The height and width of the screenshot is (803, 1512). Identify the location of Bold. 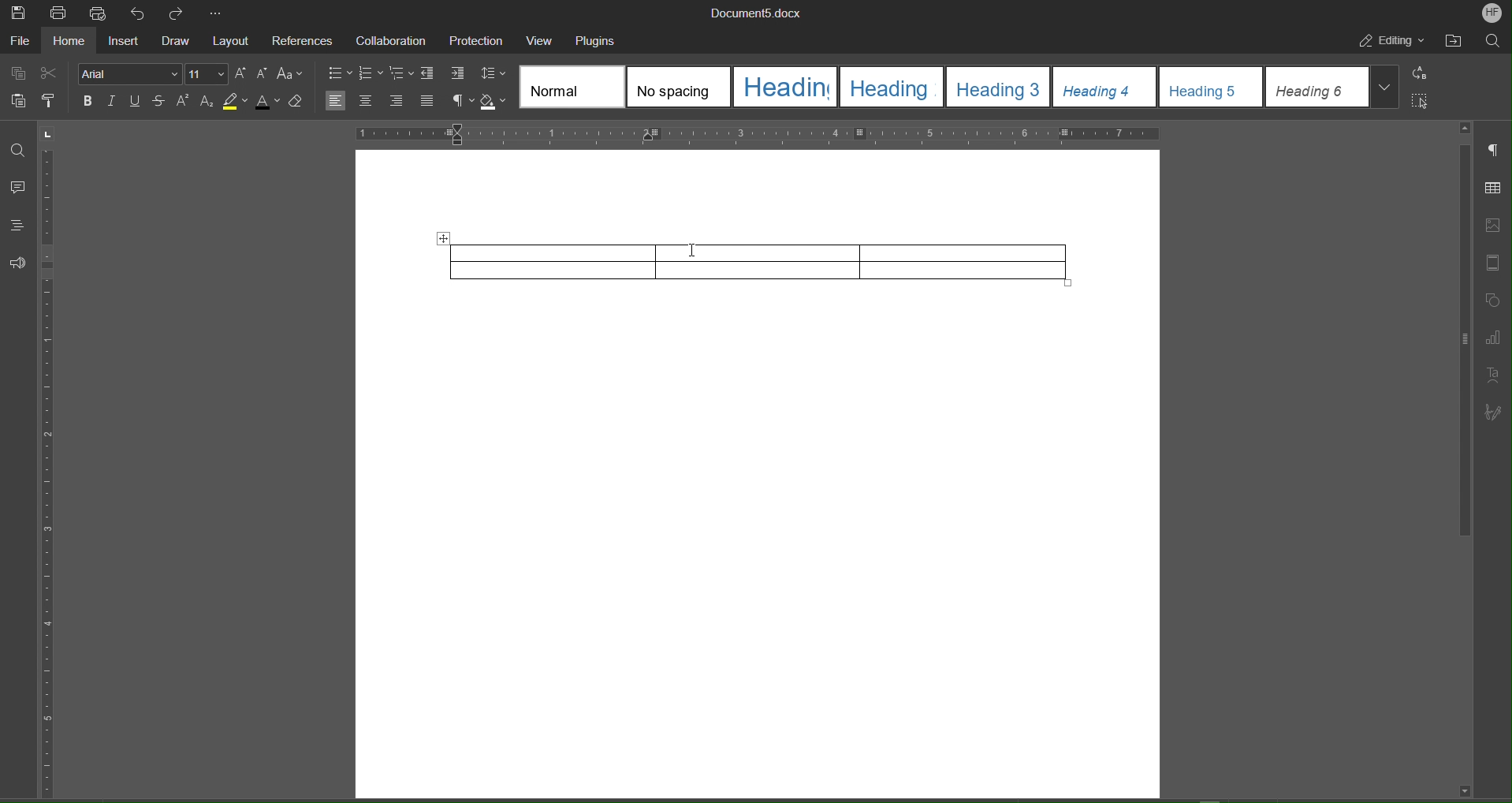
(88, 102).